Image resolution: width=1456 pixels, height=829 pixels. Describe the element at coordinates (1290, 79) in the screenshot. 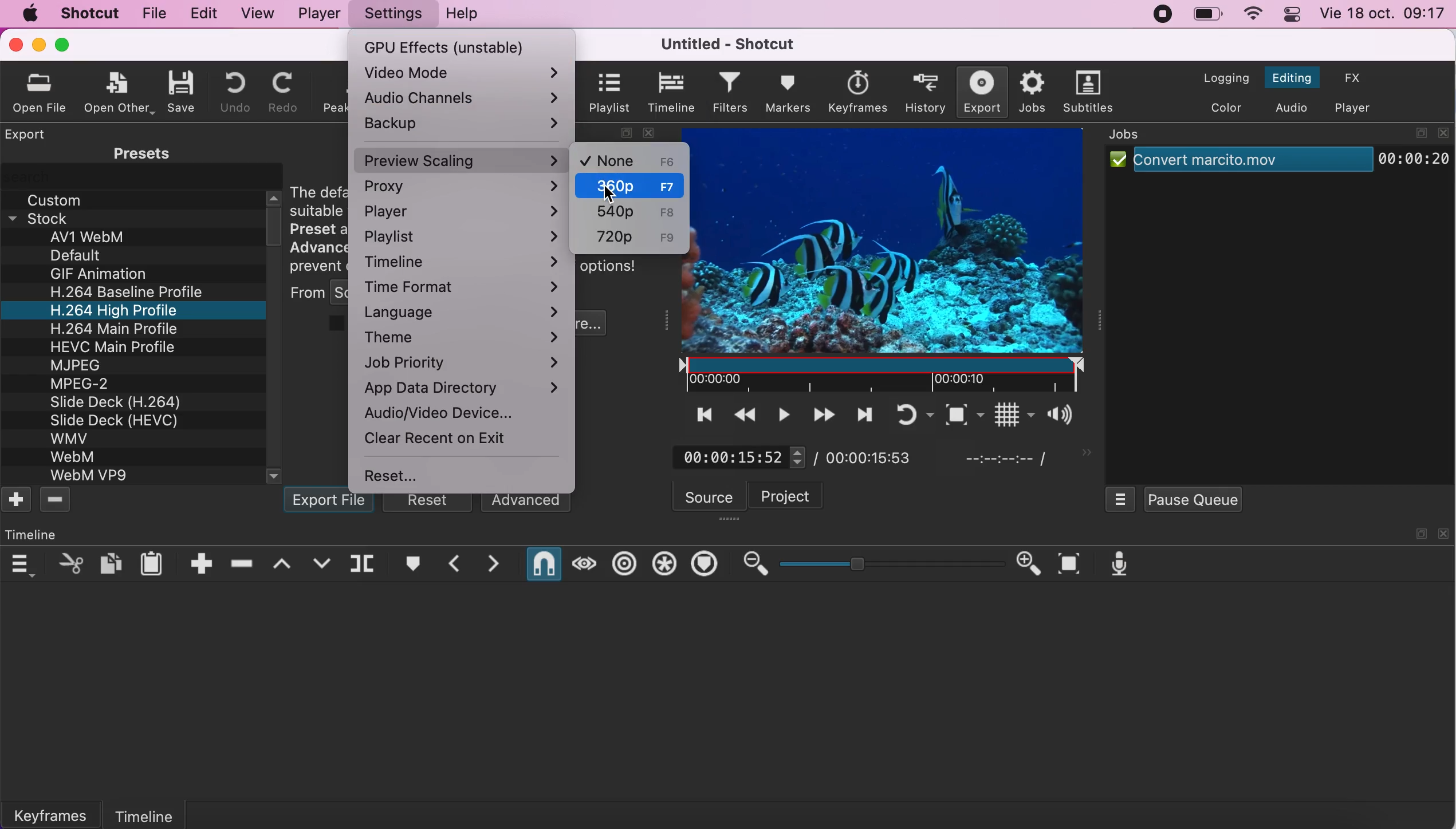

I see `switch to the editing layout` at that location.